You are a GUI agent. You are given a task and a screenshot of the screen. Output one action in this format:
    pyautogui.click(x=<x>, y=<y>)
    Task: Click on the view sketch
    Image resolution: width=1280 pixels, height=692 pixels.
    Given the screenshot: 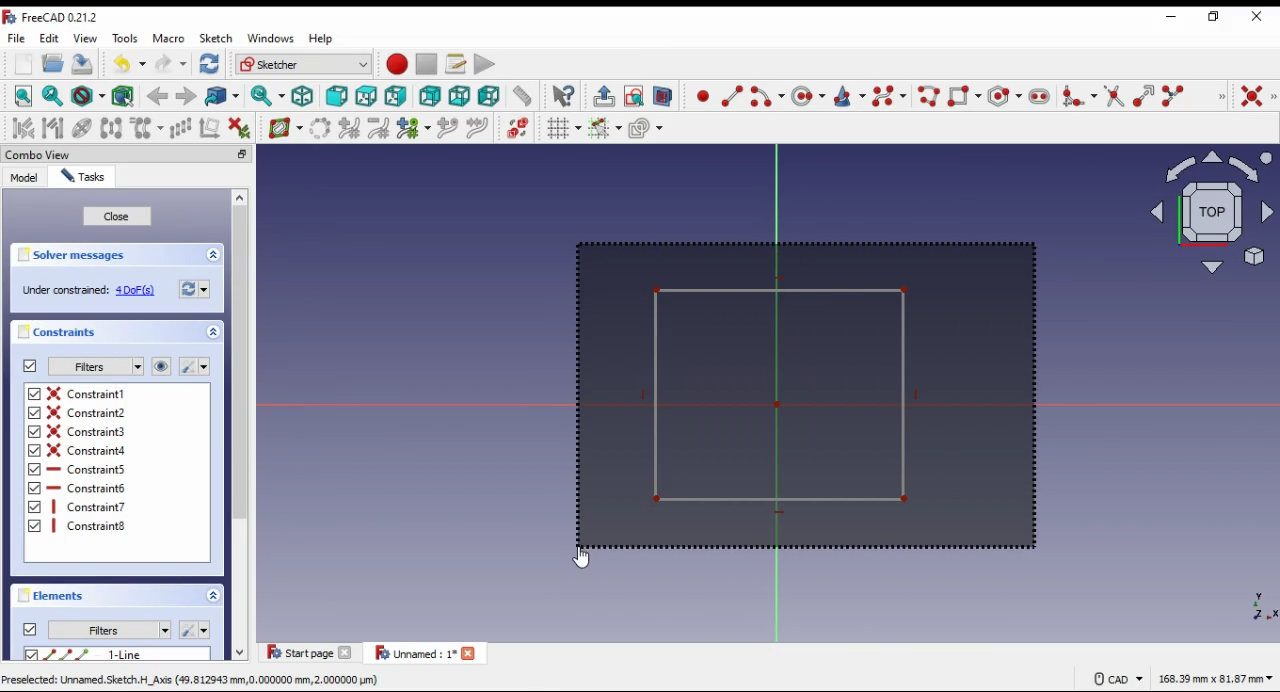 What is the action you would take?
    pyautogui.click(x=633, y=96)
    